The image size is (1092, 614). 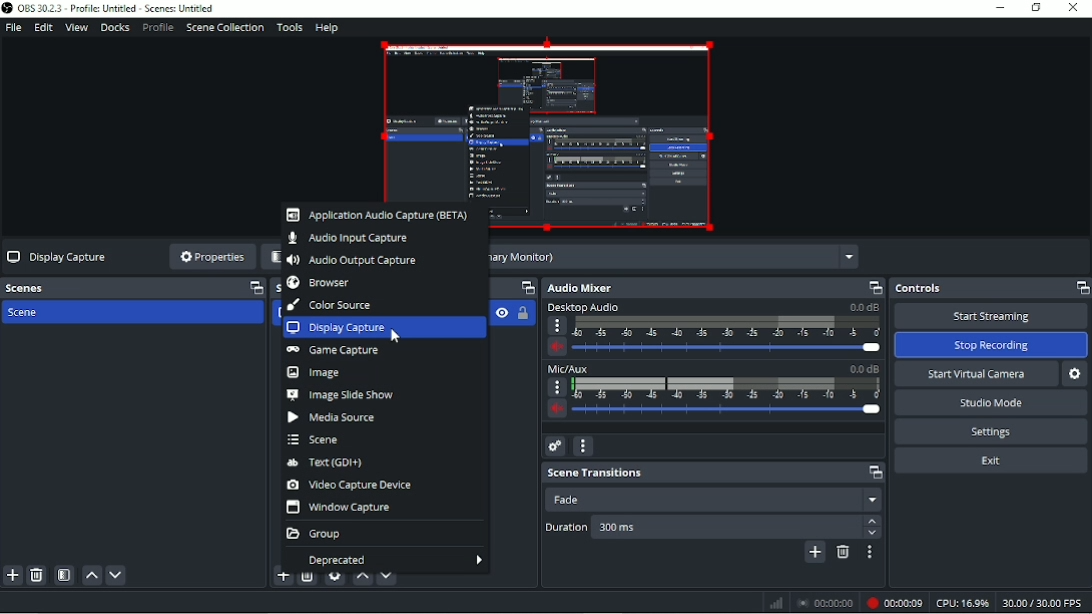 What do you see at coordinates (1075, 9) in the screenshot?
I see `Close` at bounding box center [1075, 9].